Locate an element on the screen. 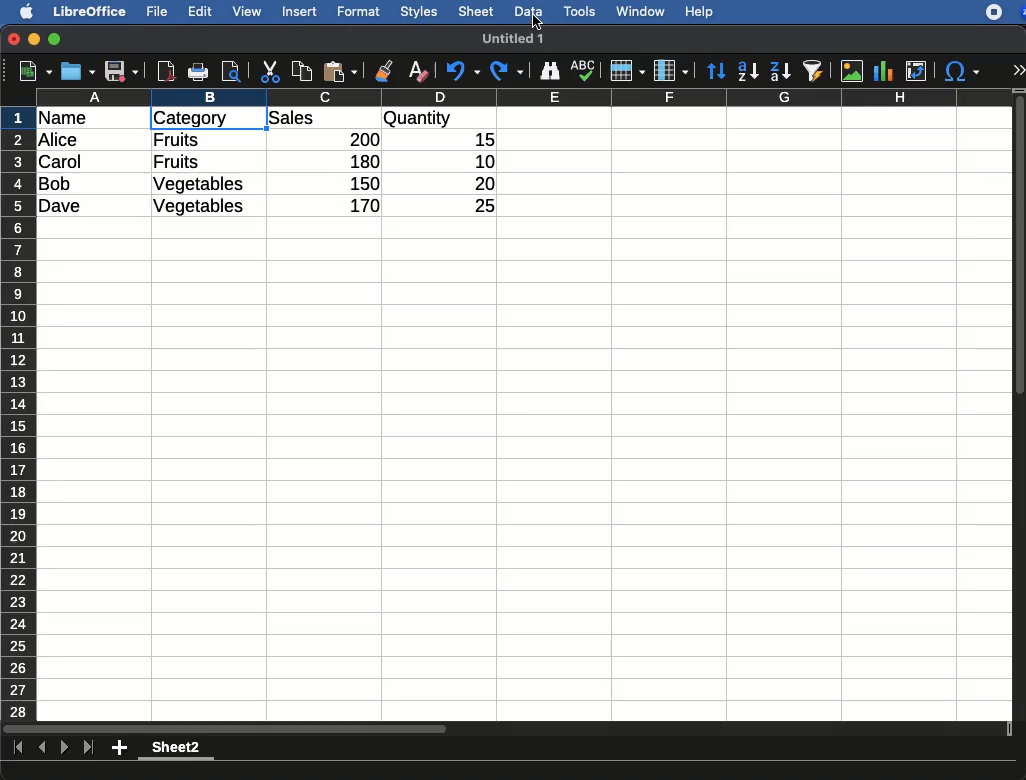 Image resolution: width=1026 pixels, height=780 pixels. pdf preview is located at coordinates (167, 71).